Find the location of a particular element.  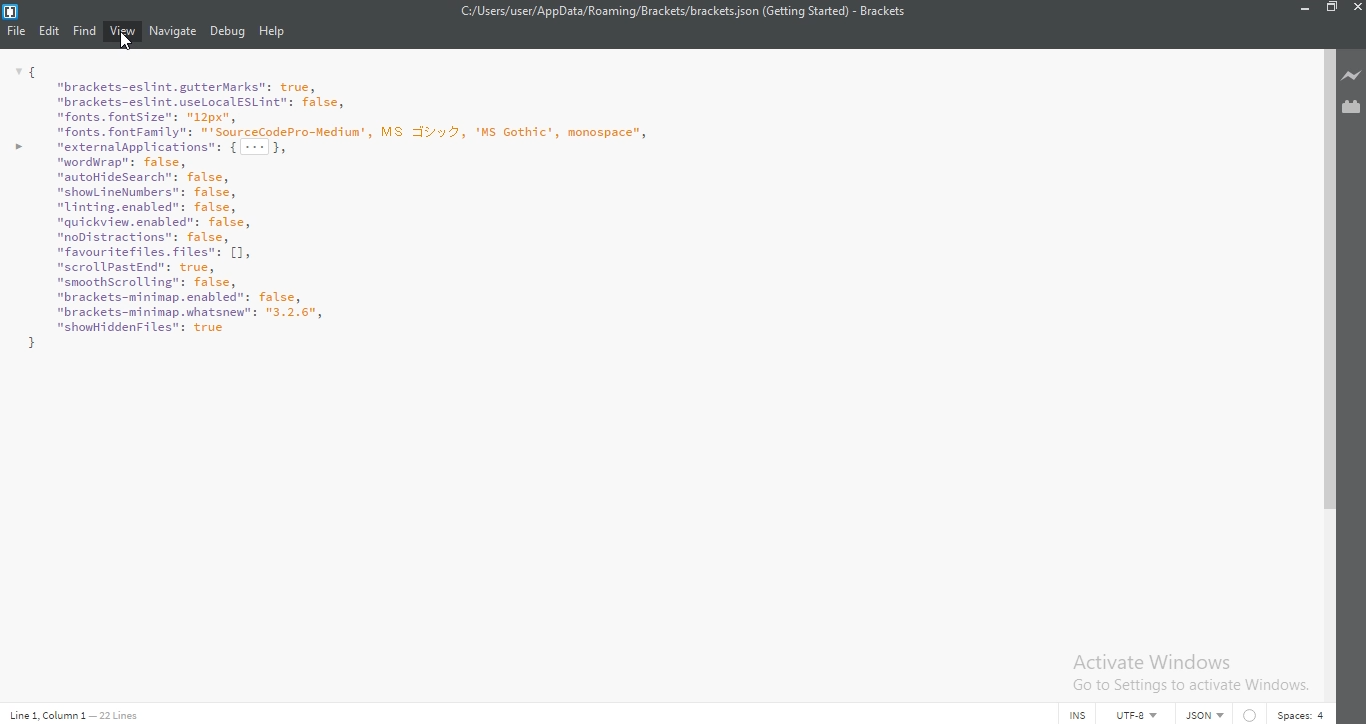

warning is located at coordinates (1250, 714).